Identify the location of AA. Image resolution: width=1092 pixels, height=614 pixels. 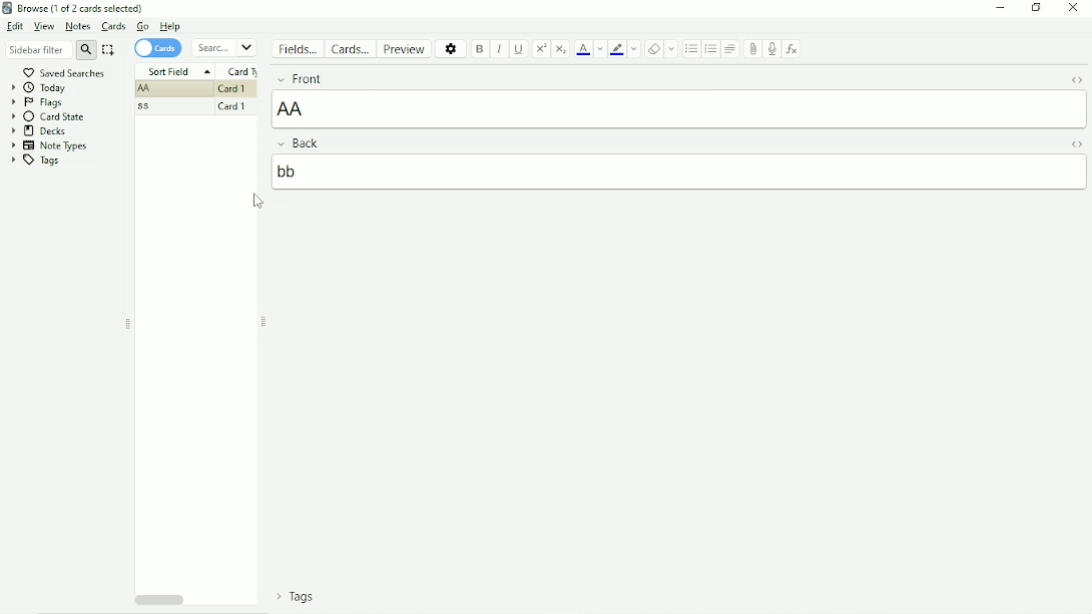
(680, 111).